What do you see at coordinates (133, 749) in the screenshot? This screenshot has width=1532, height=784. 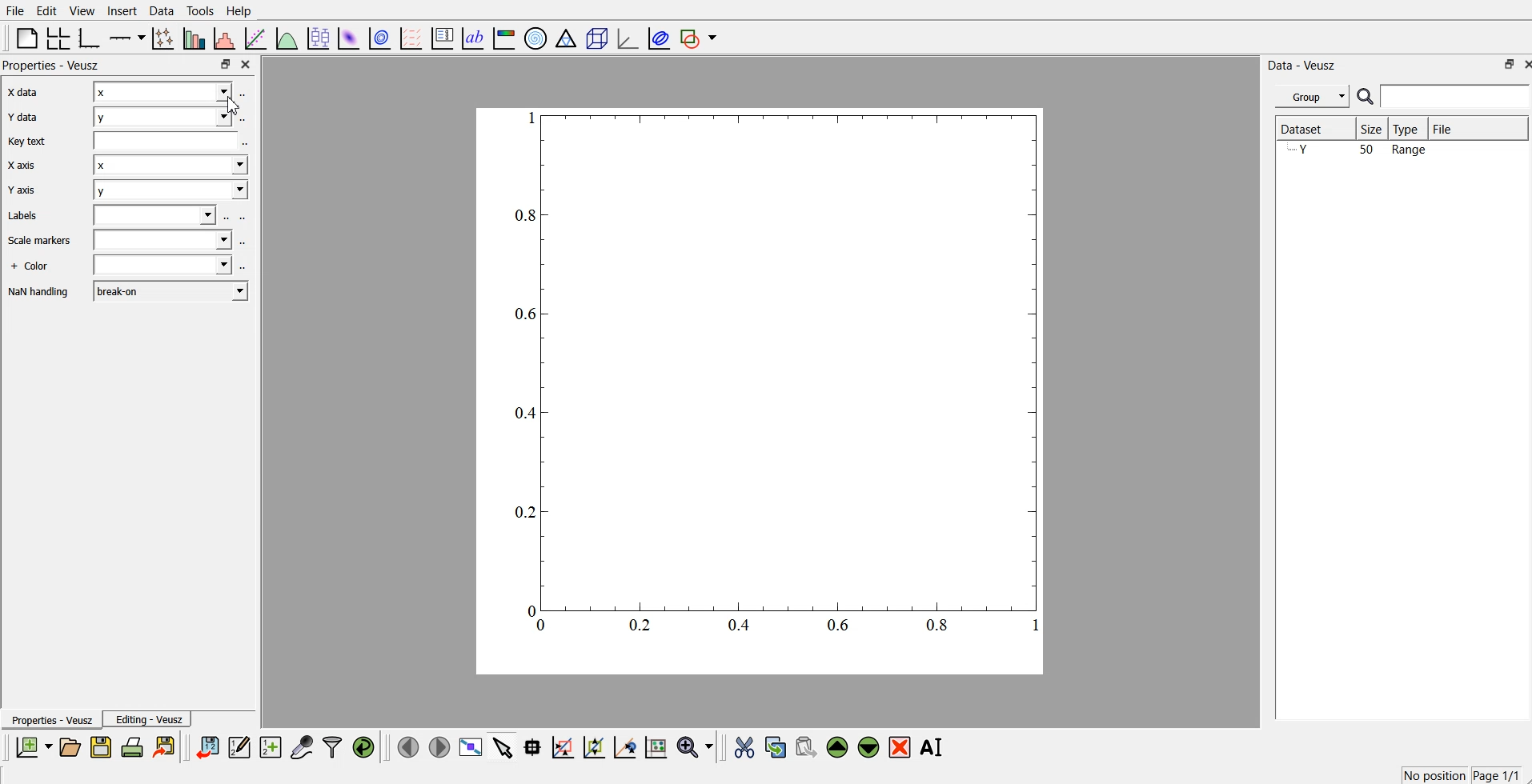 I see `print document` at bounding box center [133, 749].